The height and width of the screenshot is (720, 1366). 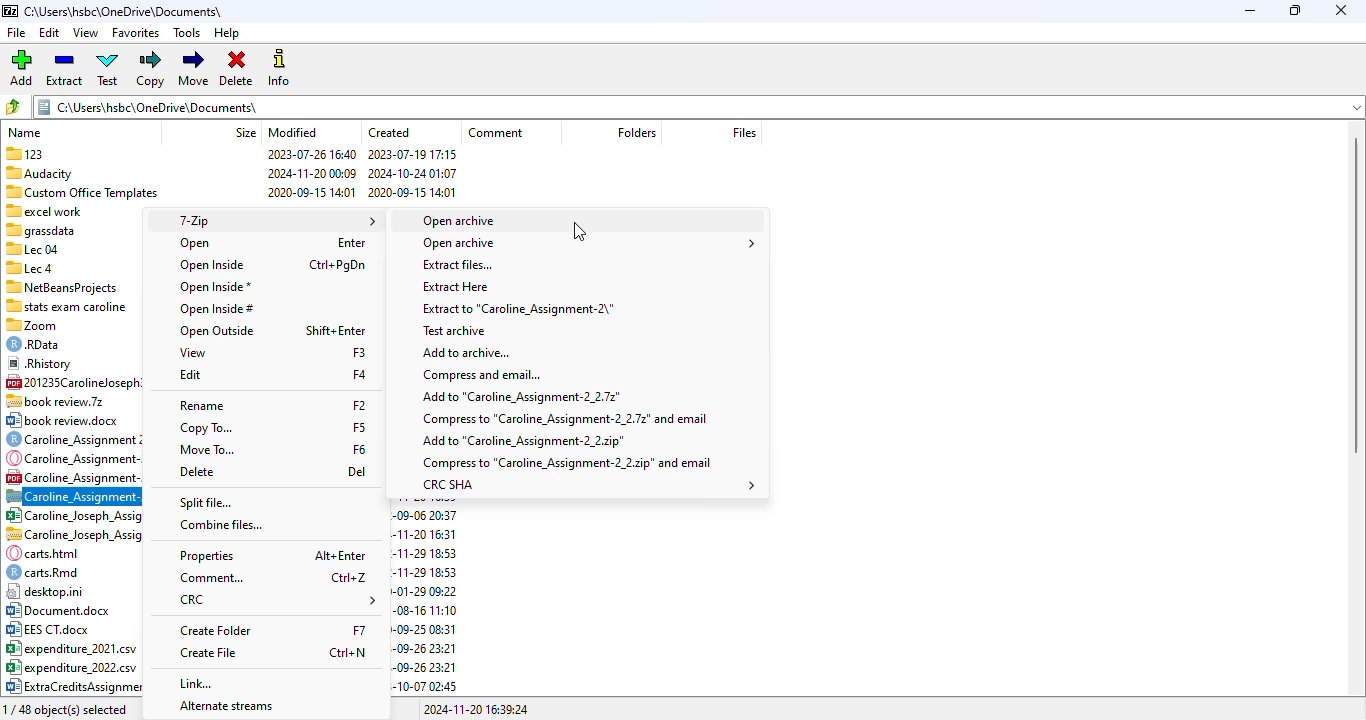 What do you see at coordinates (389, 132) in the screenshot?
I see `created` at bounding box center [389, 132].